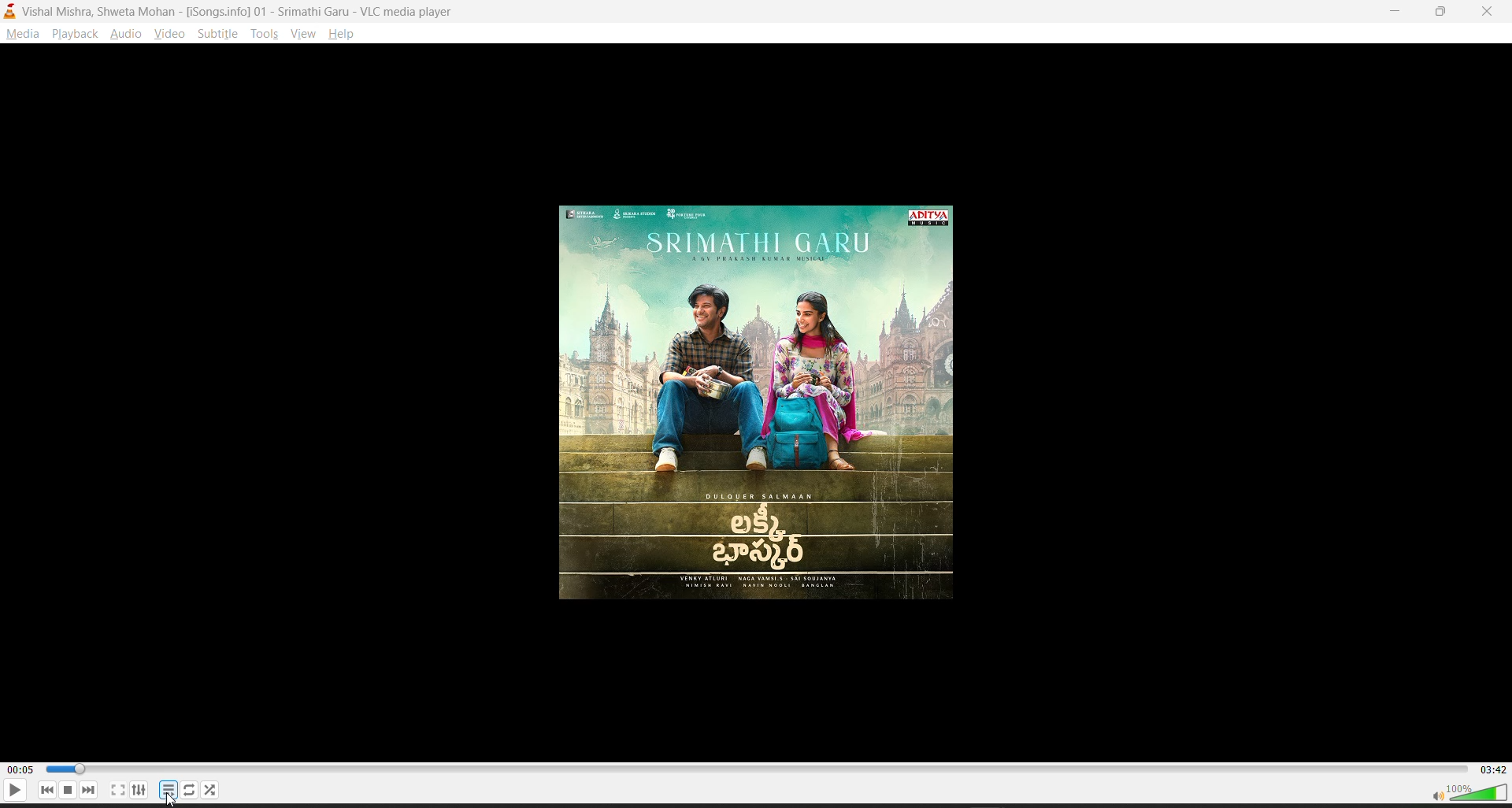  I want to click on volume, so click(1468, 791).